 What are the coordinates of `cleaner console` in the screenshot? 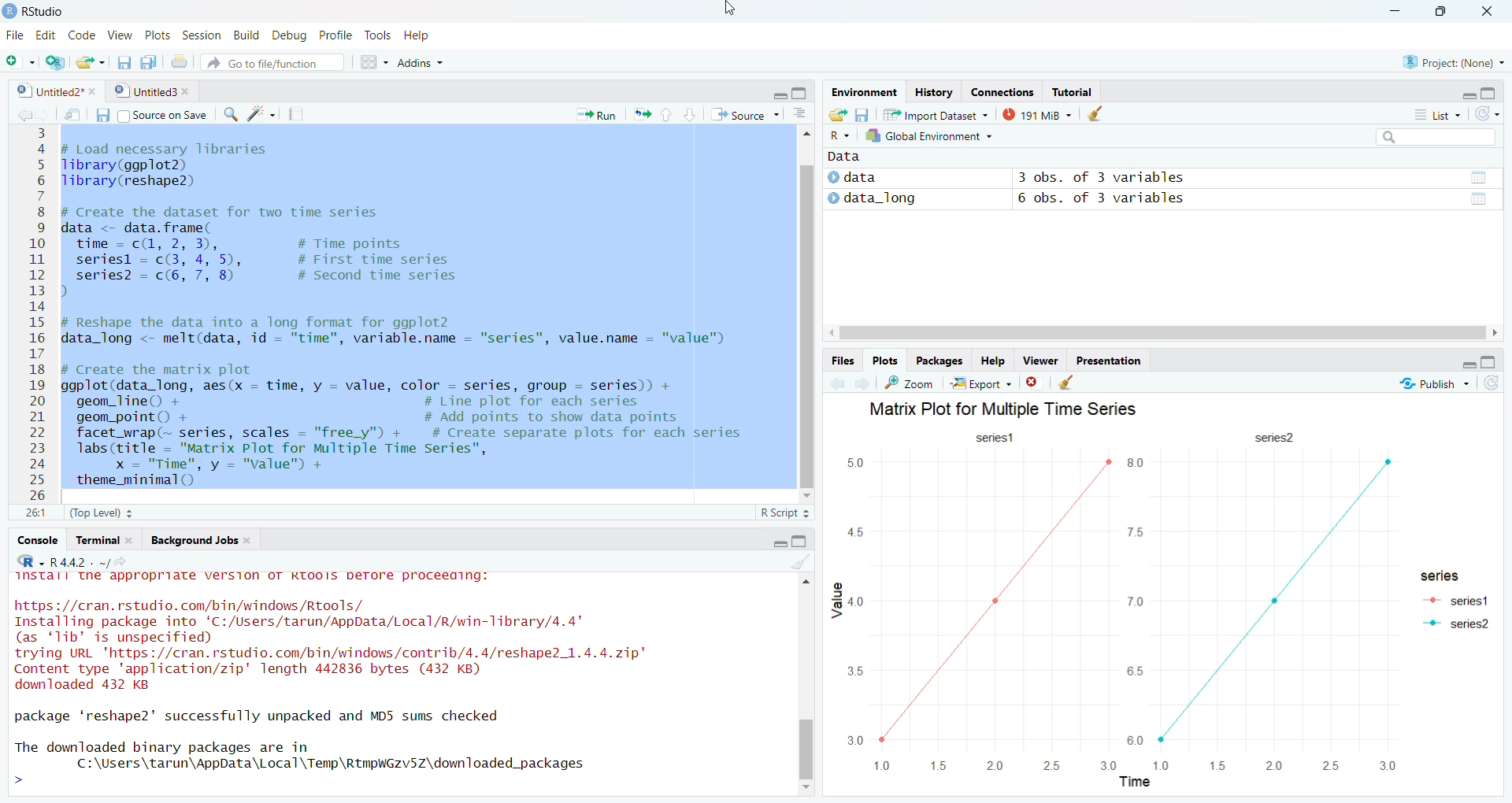 It's located at (801, 563).